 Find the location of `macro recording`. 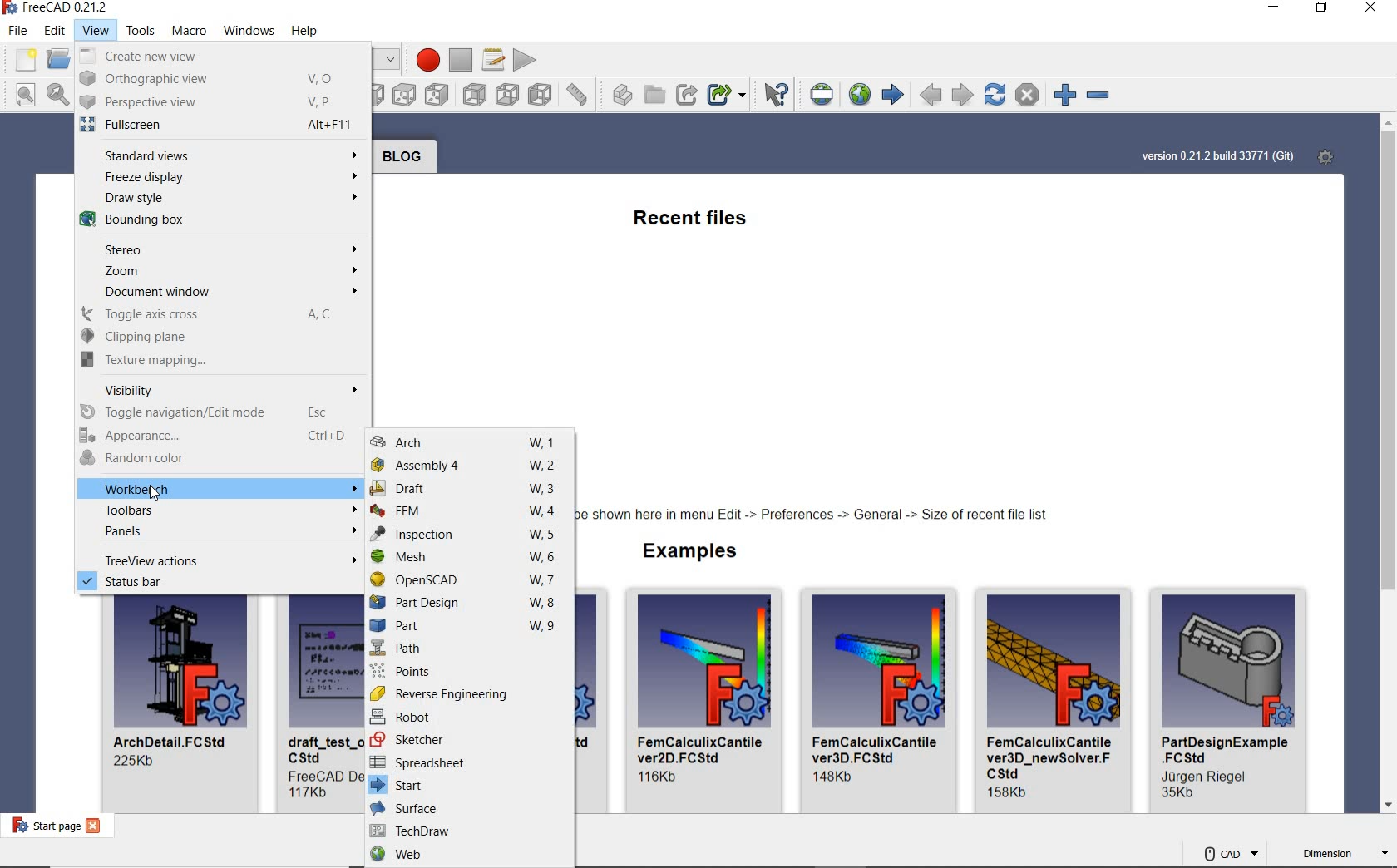

macro recording is located at coordinates (425, 60).